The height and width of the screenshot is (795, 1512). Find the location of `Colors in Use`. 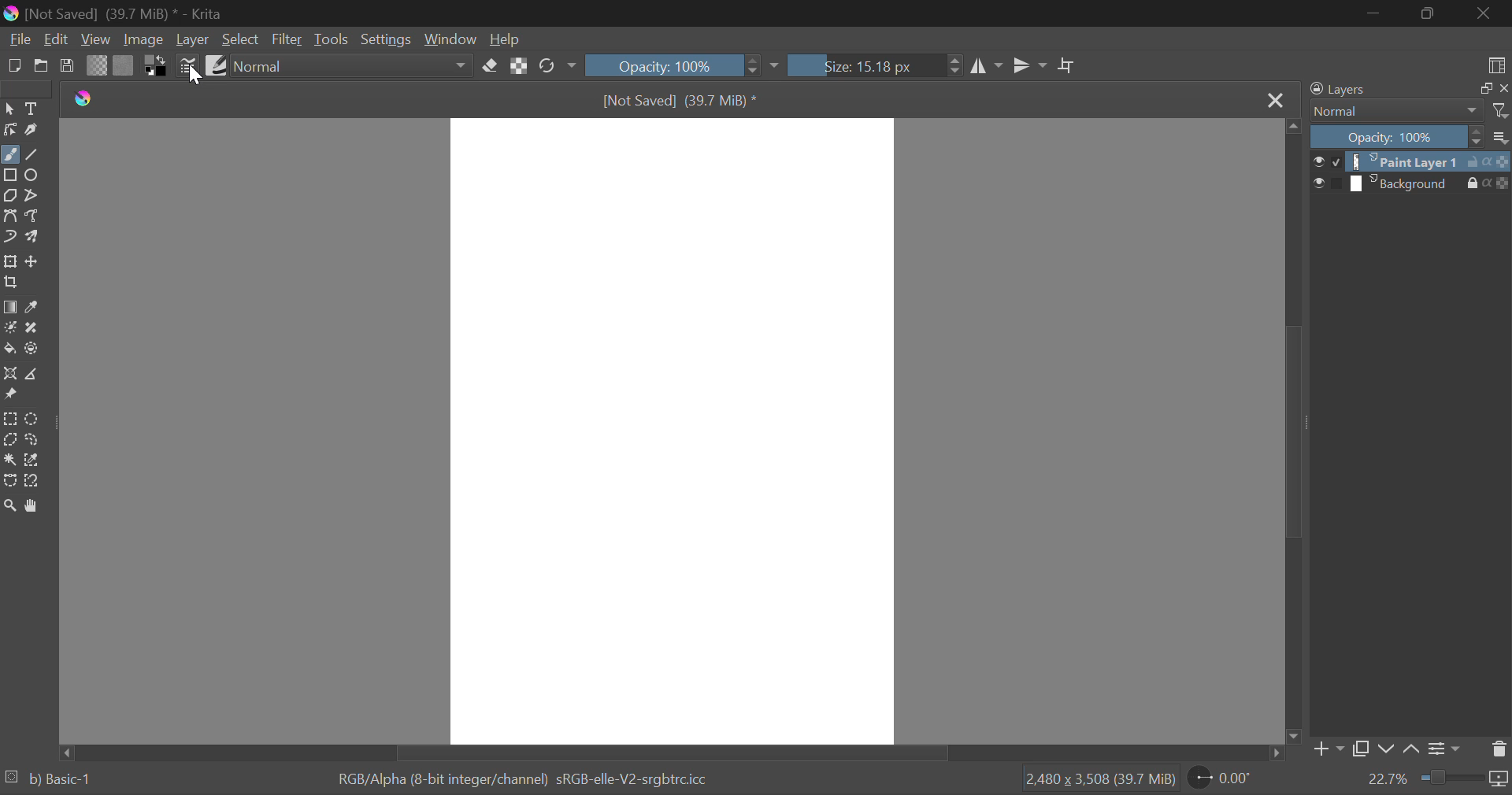

Colors in Use is located at coordinates (157, 65).